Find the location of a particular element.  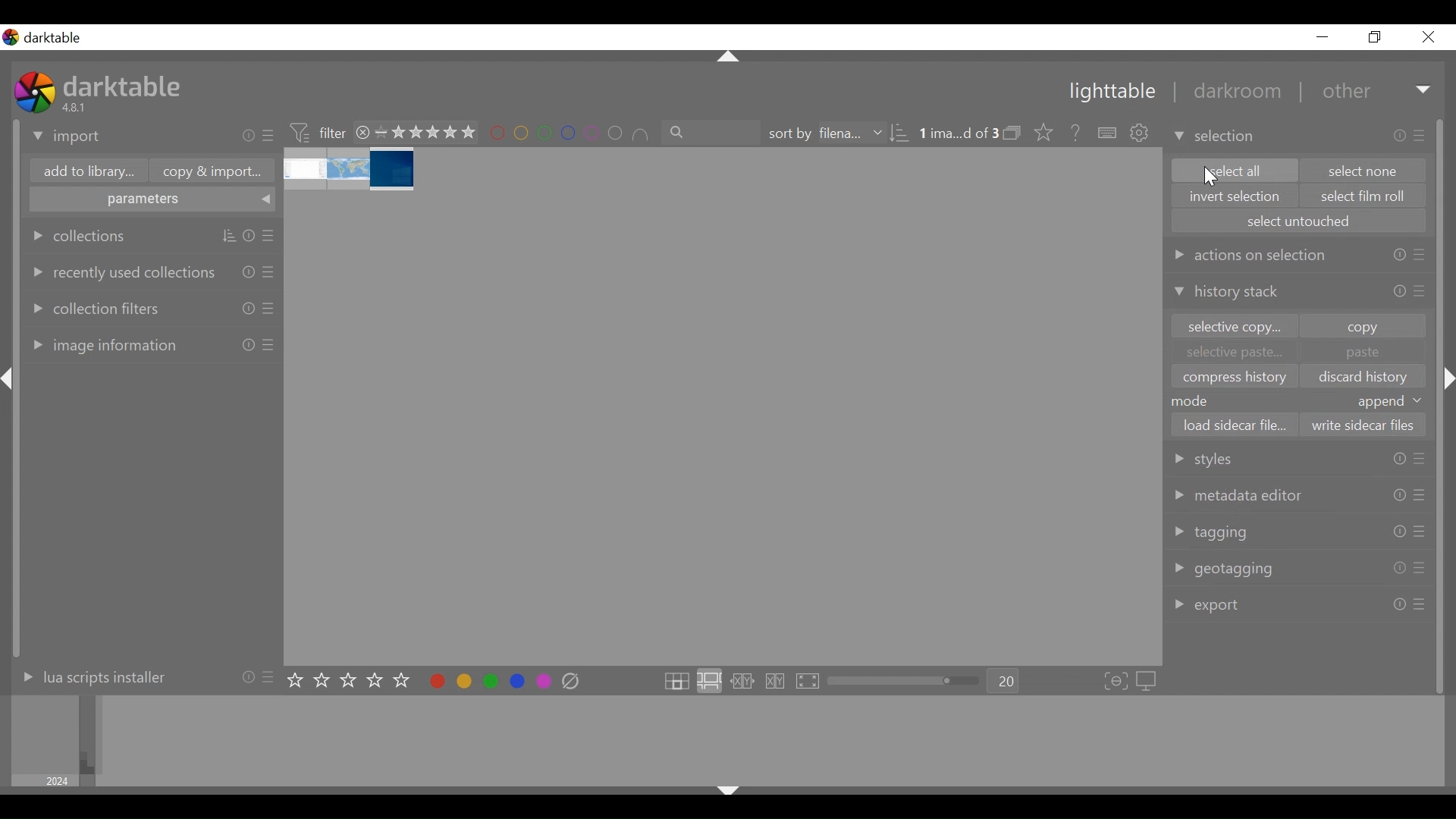

presets is located at coordinates (271, 237).